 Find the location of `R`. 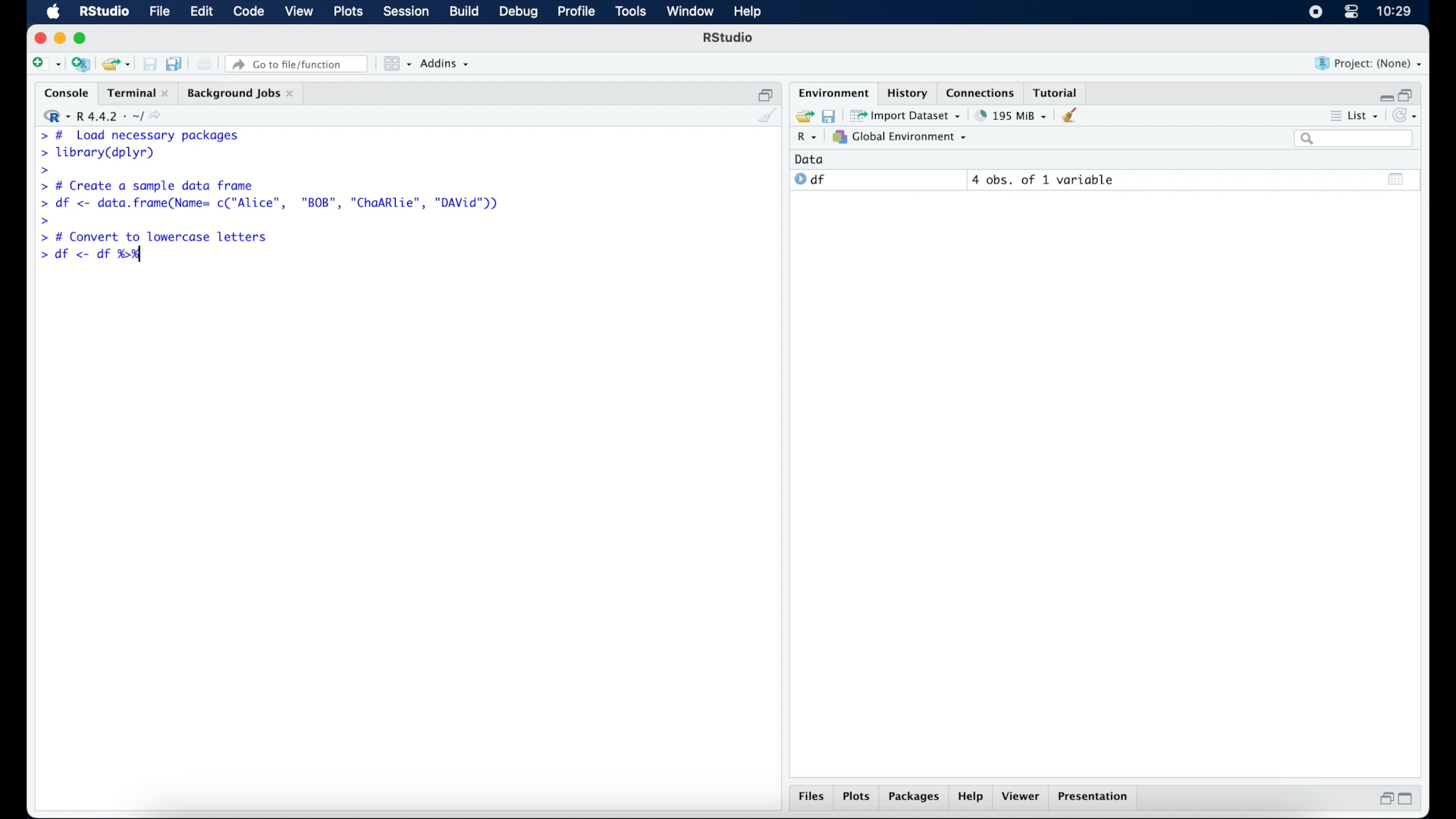

R is located at coordinates (805, 139).